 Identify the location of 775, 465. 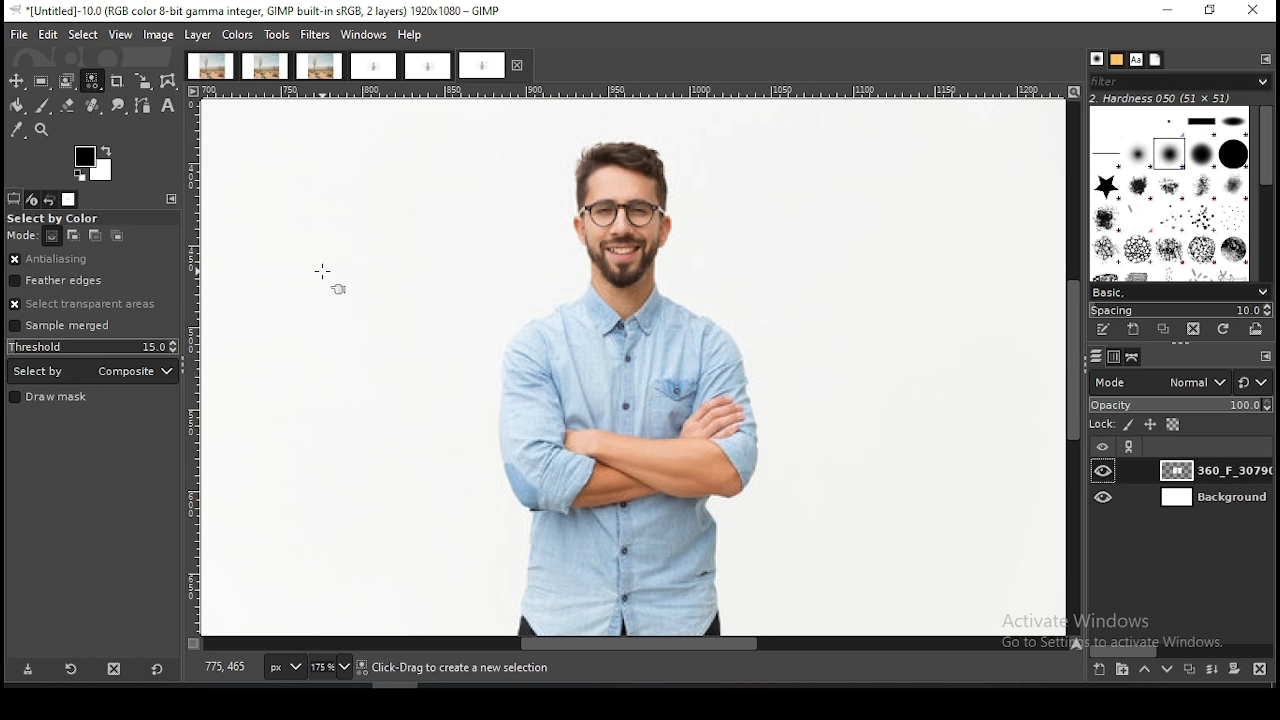
(227, 668).